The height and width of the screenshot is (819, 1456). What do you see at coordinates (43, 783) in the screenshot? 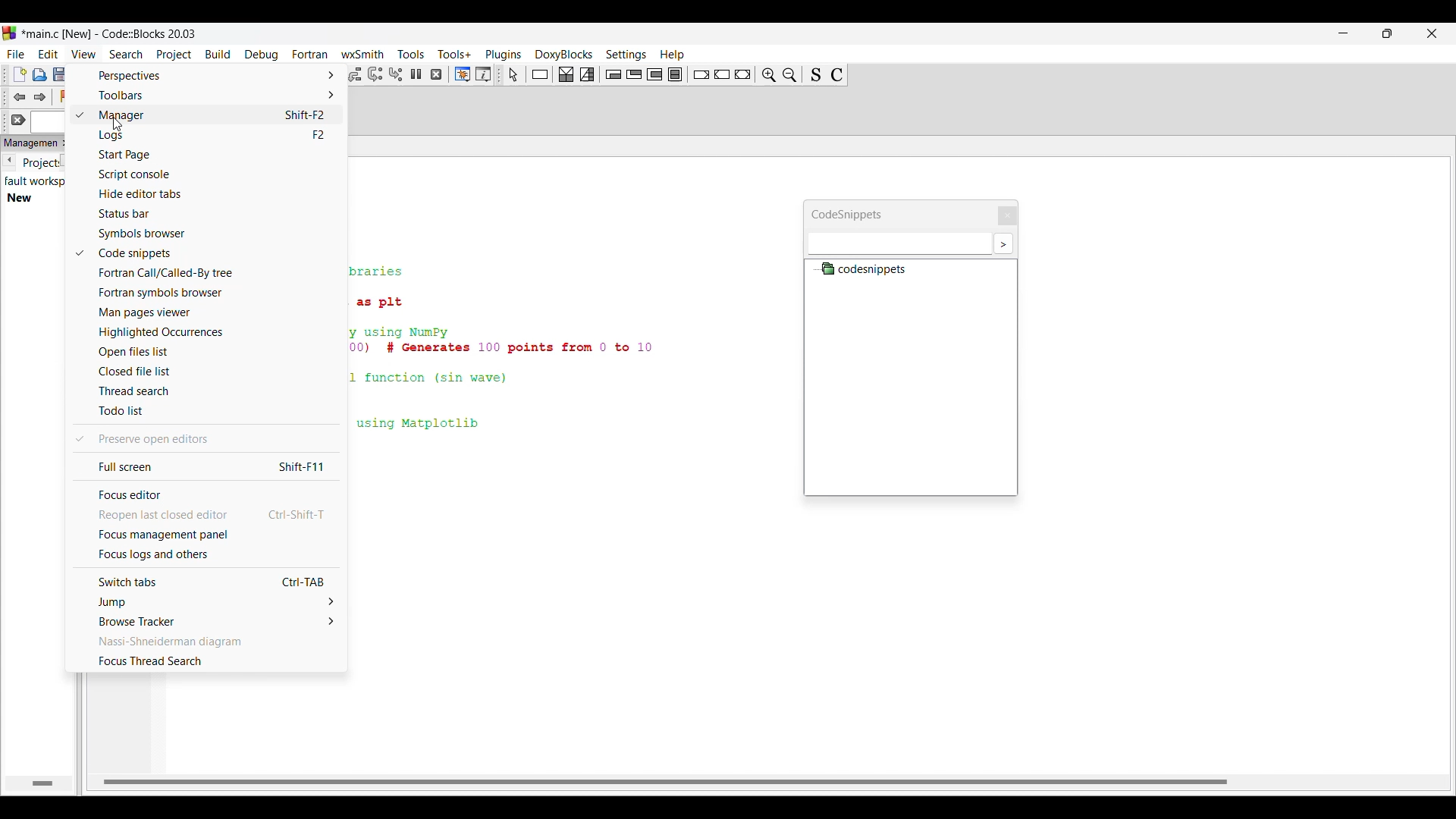
I see `Horizontal slide bar` at bounding box center [43, 783].